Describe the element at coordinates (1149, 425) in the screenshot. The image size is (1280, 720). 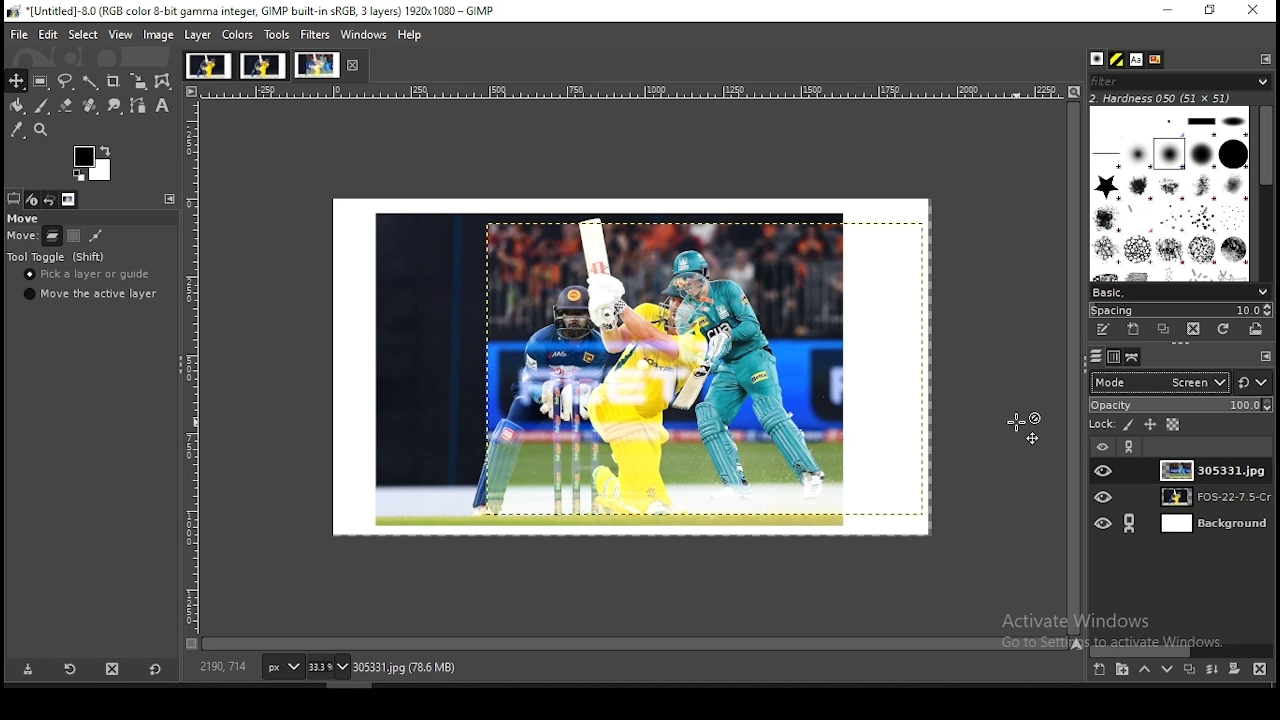
I see `lock size and position` at that location.